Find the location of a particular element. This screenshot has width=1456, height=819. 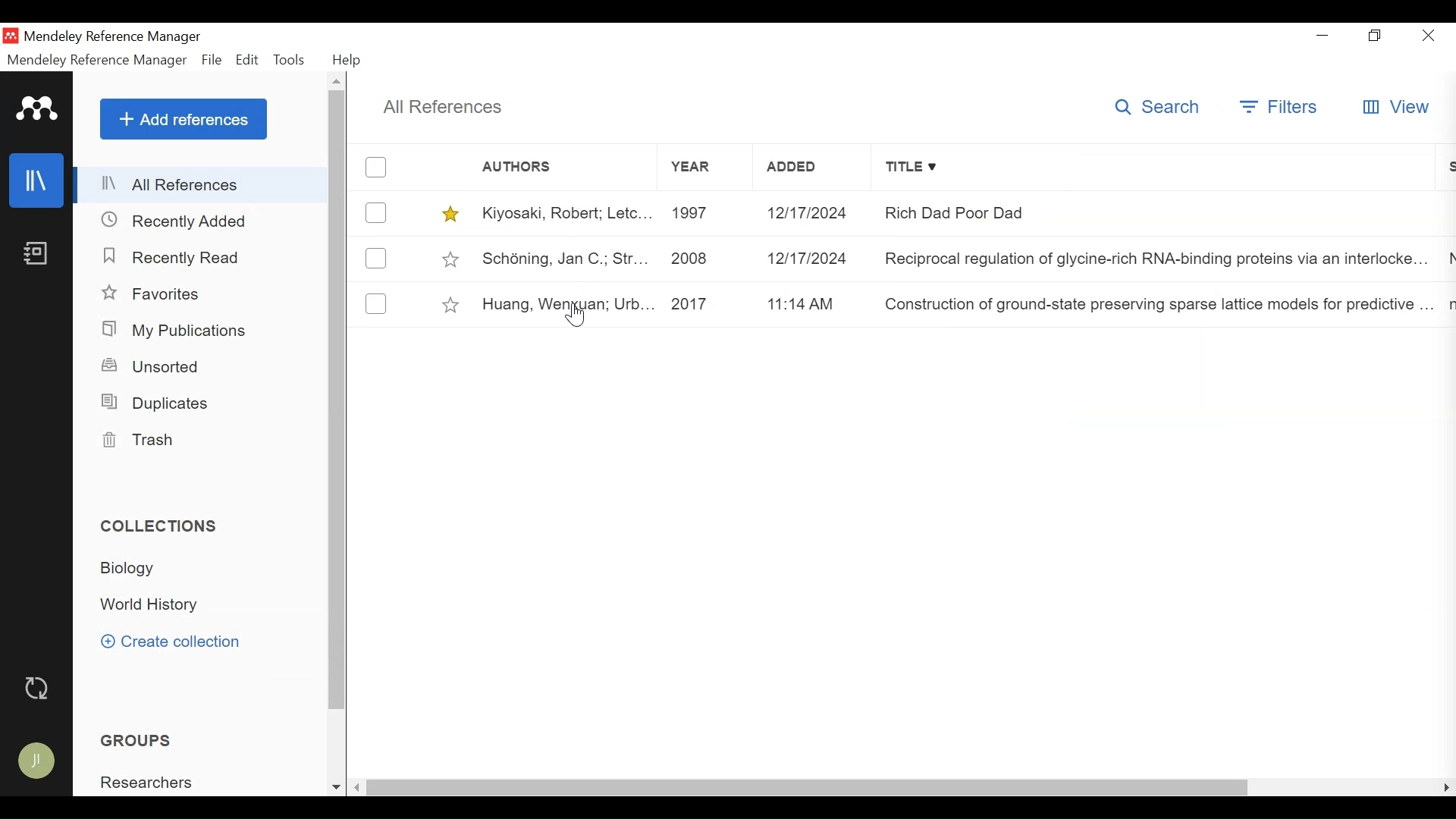

Filters is located at coordinates (1279, 108).